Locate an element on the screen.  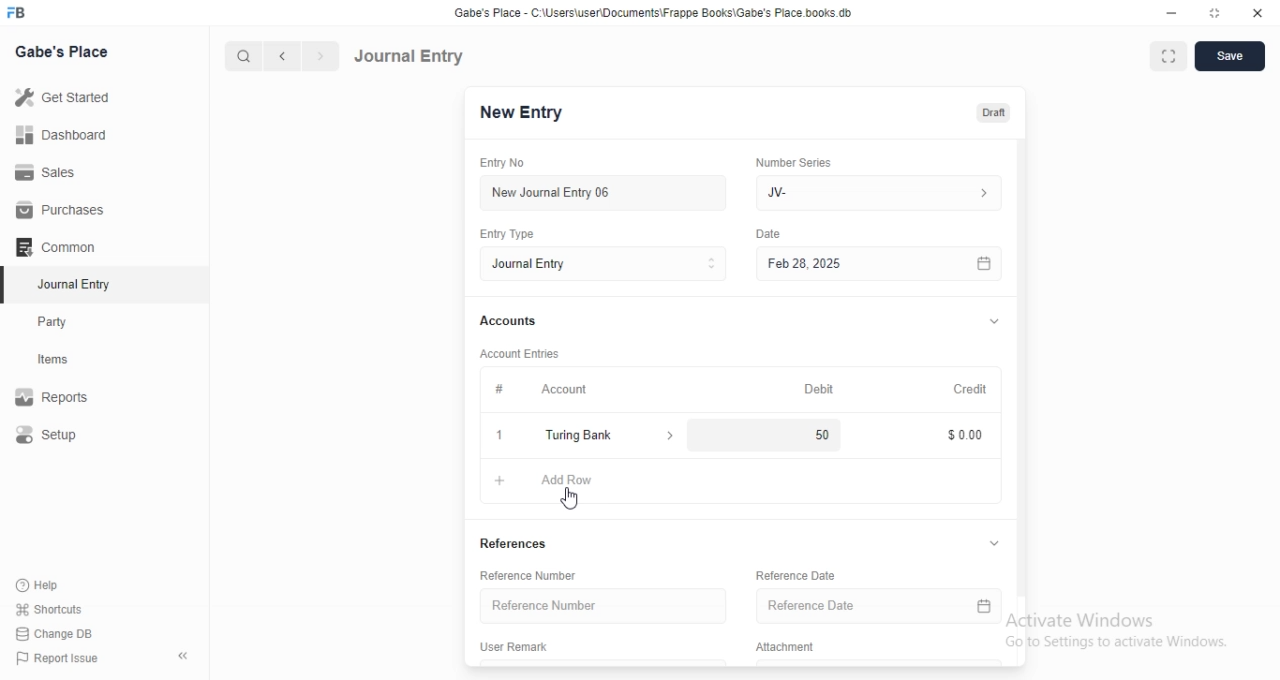
$000 is located at coordinates (967, 435).